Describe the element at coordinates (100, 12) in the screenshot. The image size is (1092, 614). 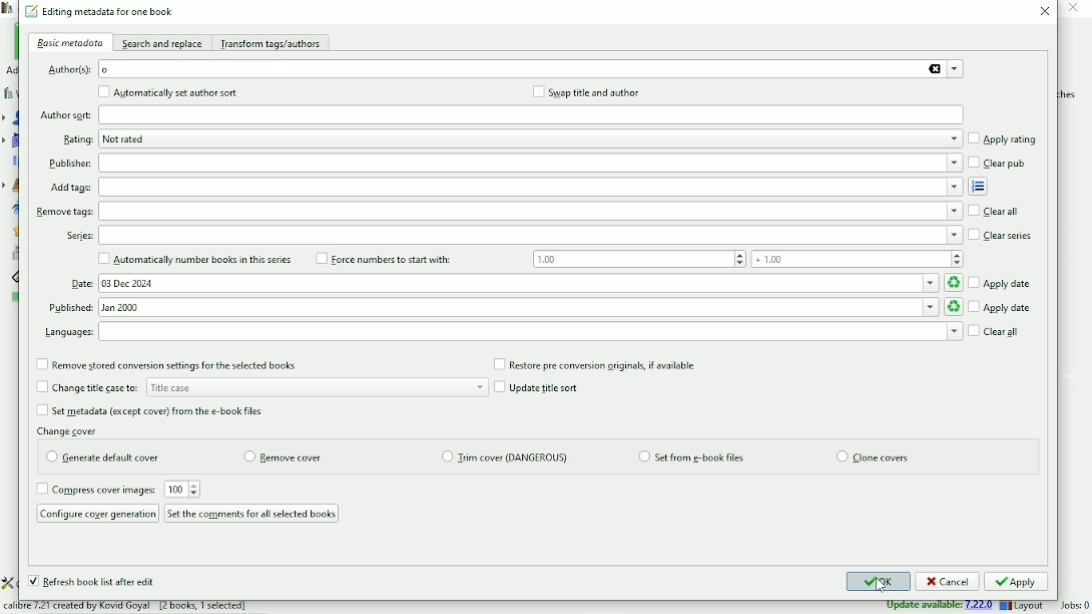
I see `Edit metadata for one book` at that location.